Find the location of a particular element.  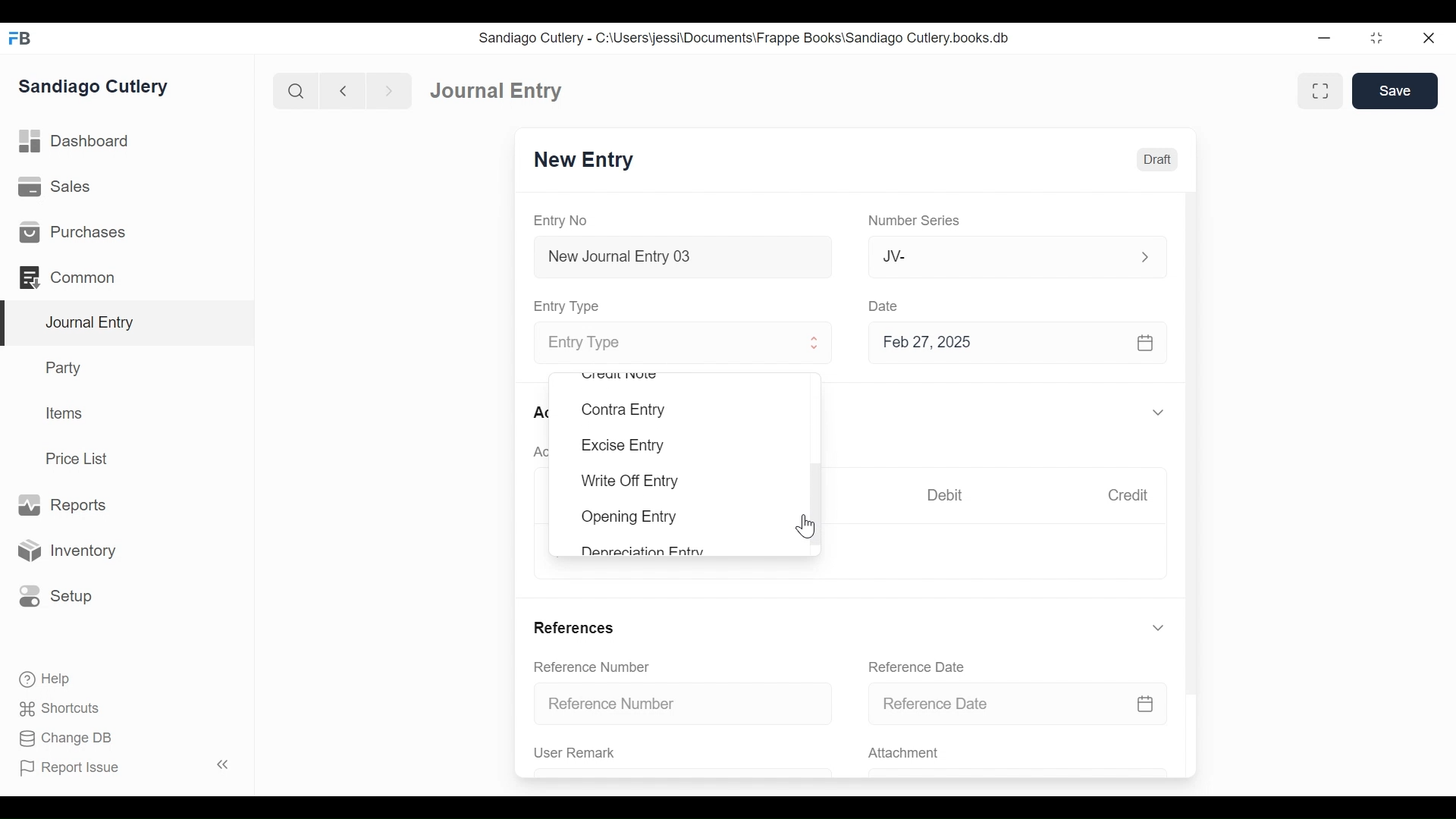

Entry No is located at coordinates (560, 221).